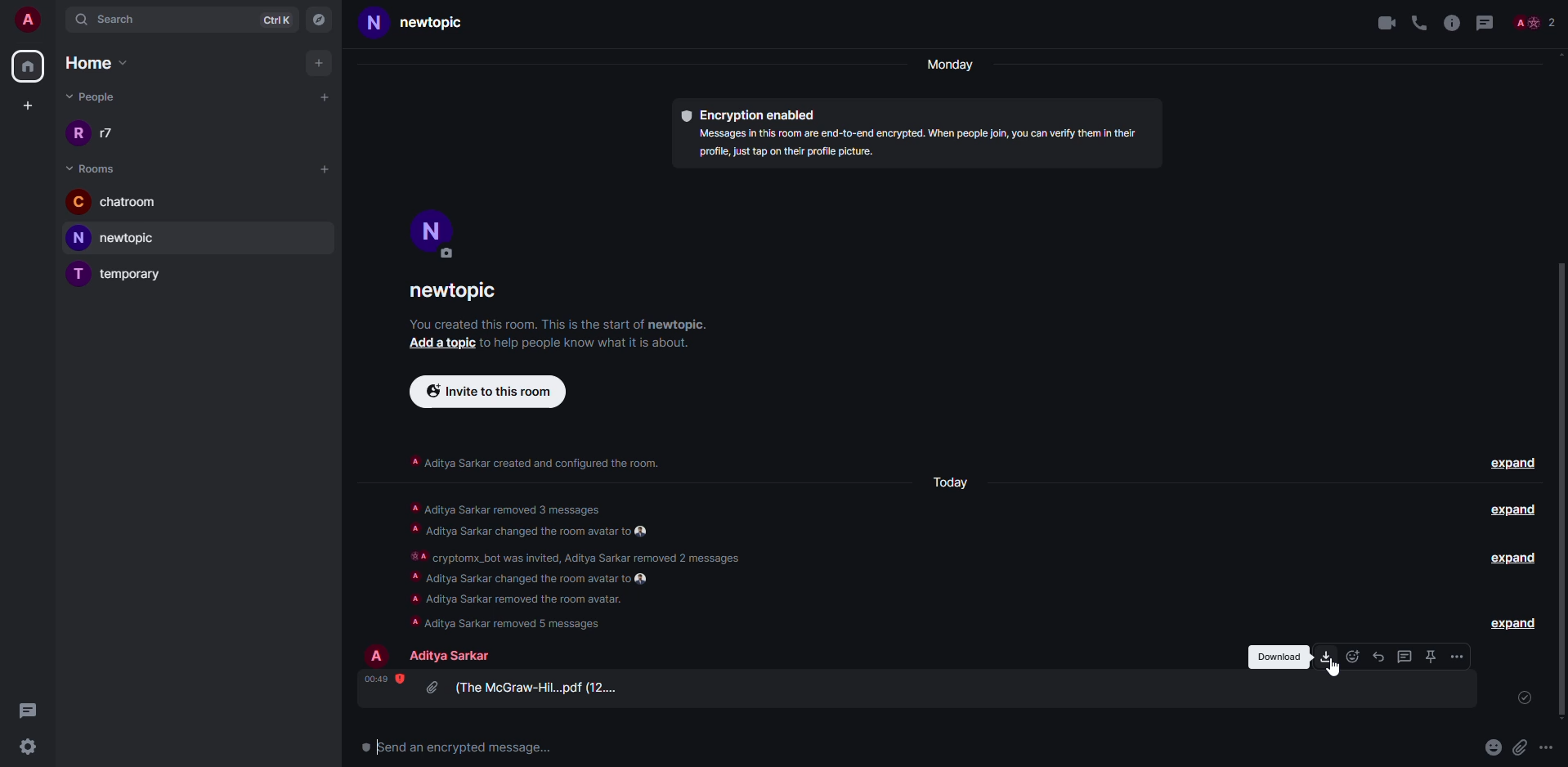 The image size is (1568, 767). What do you see at coordinates (539, 469) in the screenshot?
I see `invite to this room` at bounding box center [539, 469].